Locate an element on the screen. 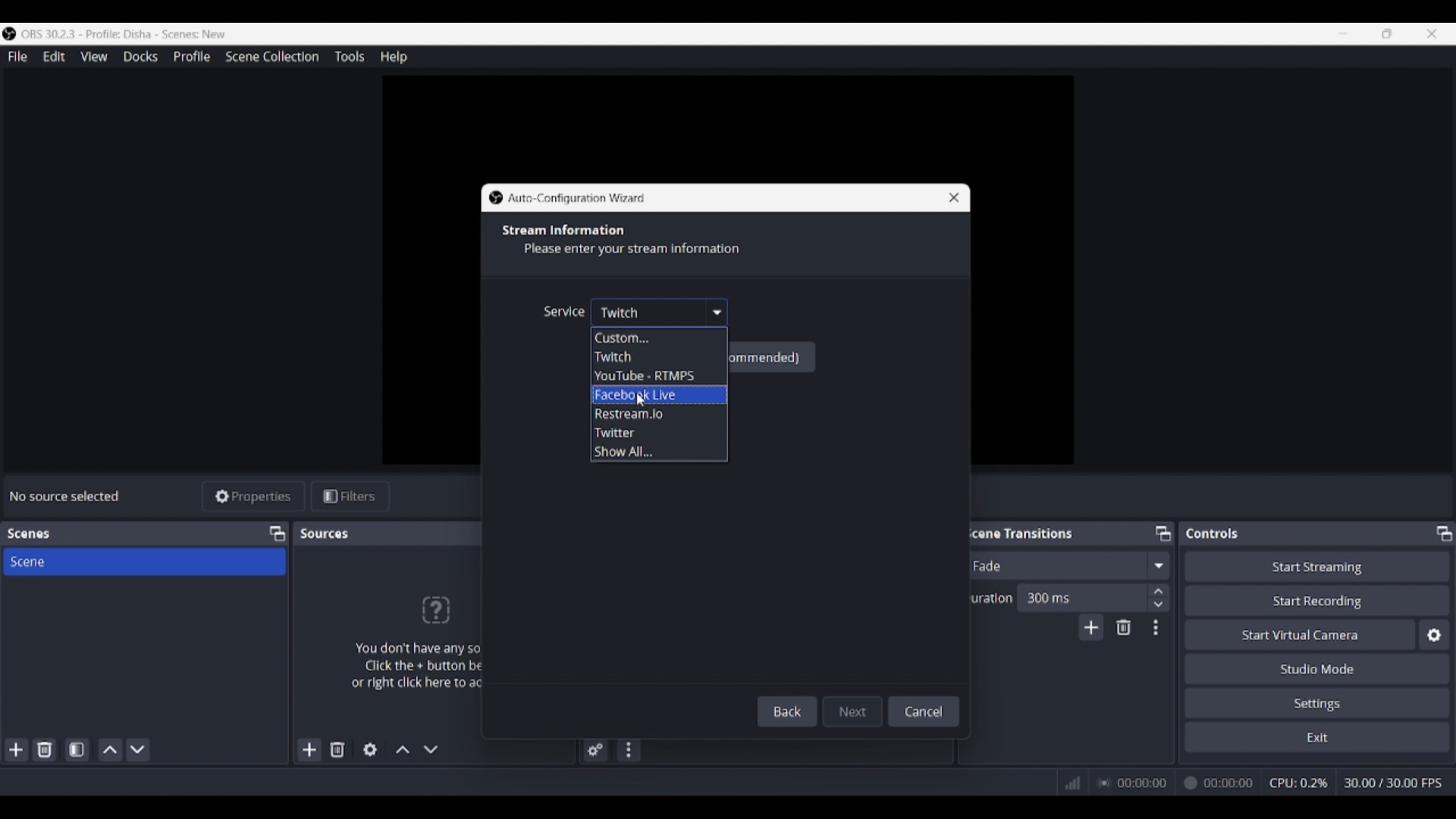 Image resolution: width=1456 pixels, height=819 pixels. Scene title is located at coordinates (144, 561).